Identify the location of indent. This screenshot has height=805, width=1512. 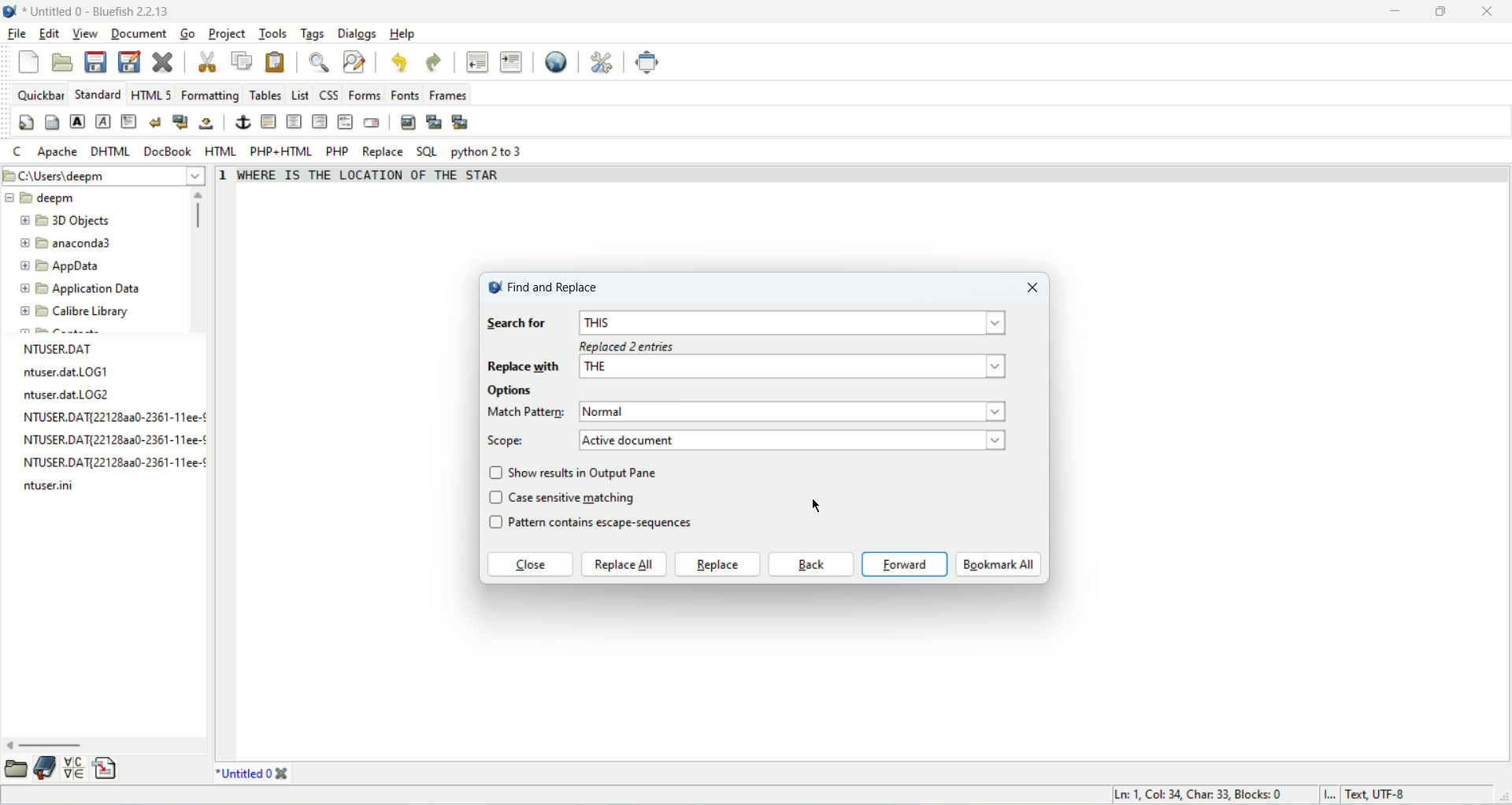
(510, 61).